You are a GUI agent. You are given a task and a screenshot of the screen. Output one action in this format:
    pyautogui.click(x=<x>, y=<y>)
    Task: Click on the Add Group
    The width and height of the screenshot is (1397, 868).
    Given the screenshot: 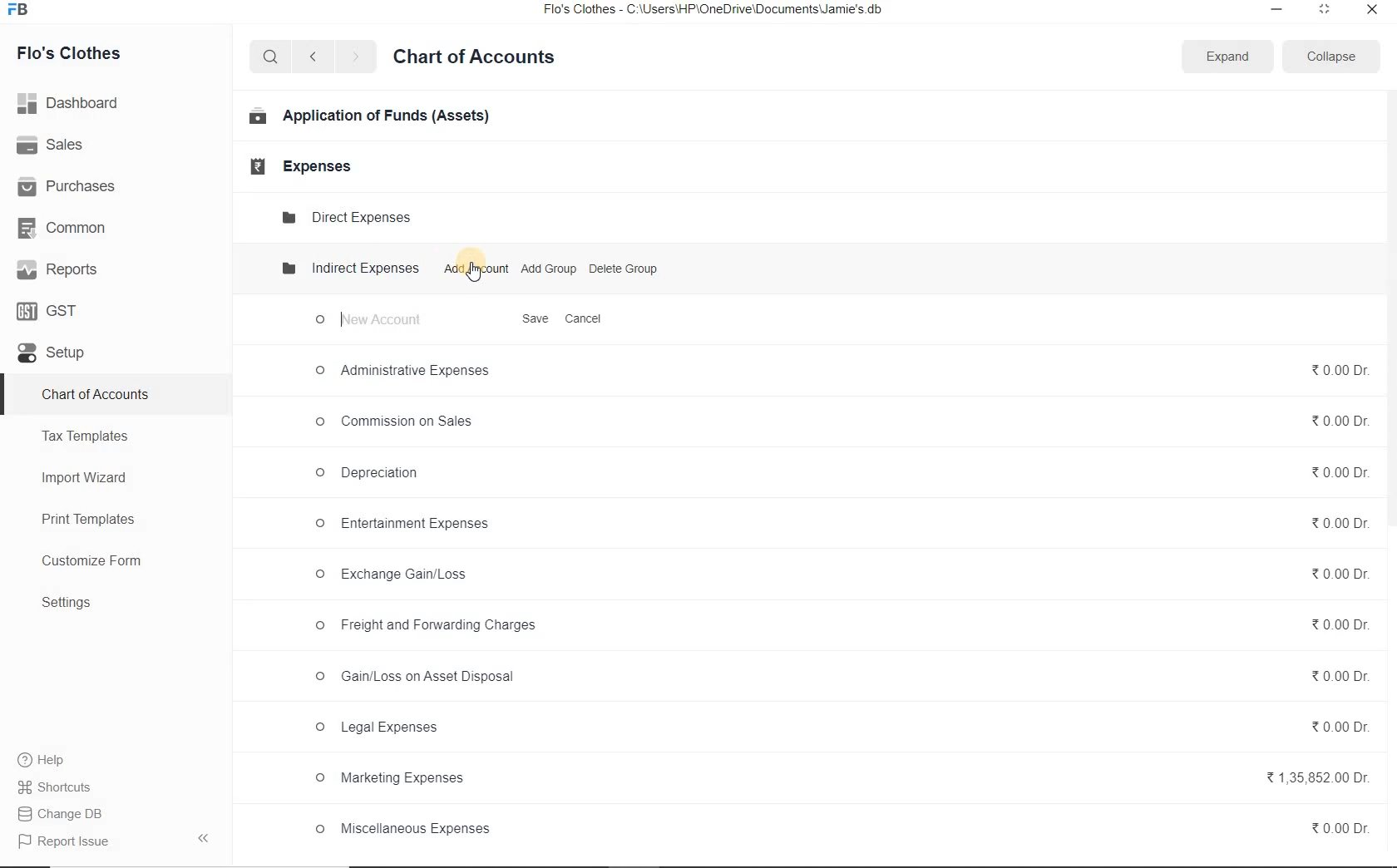 What is the action you would take?
    pyautogui.click(x=547, y=269)
    